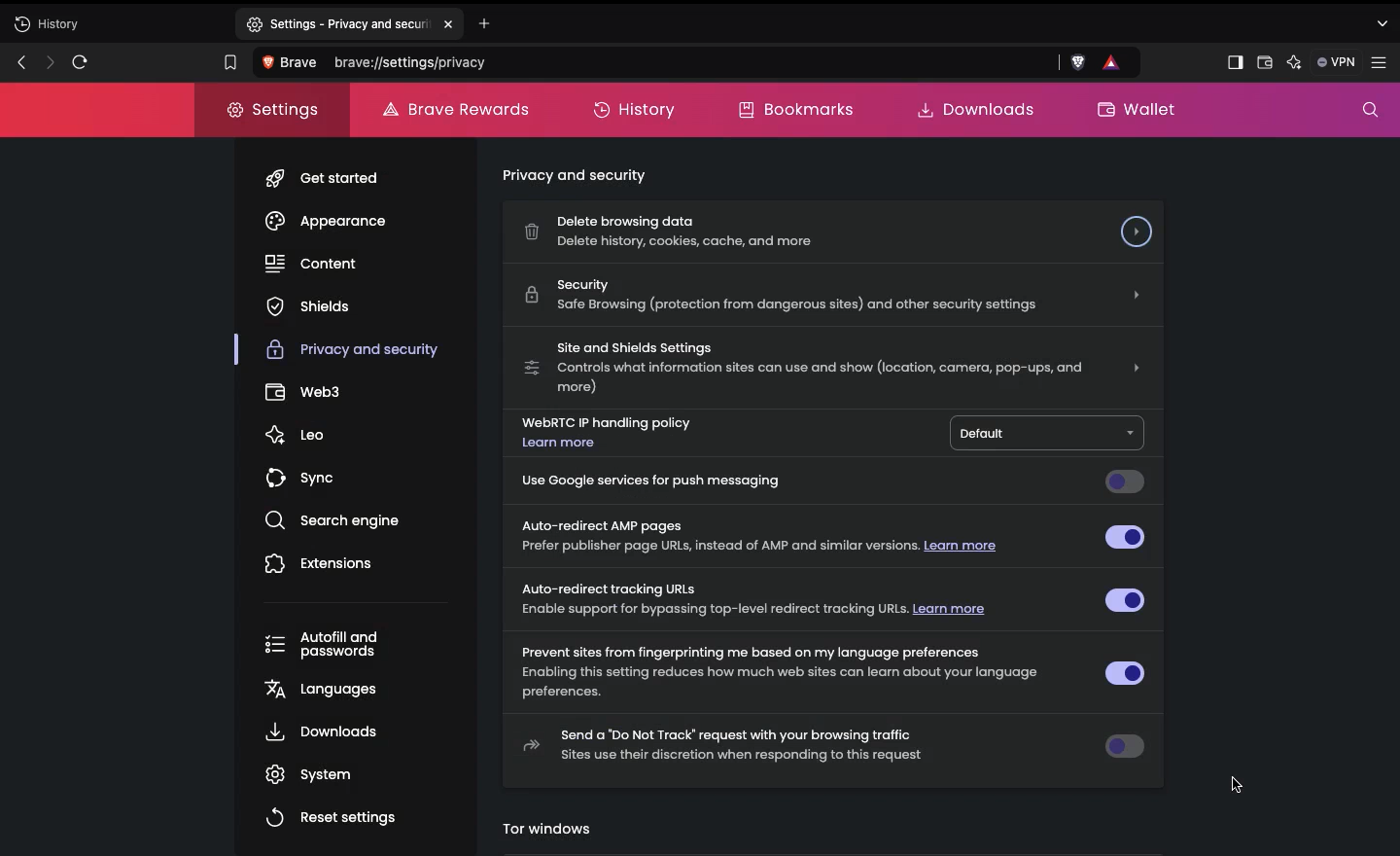  What do you see at coordinates (1080, 62) in the screenshot?
I see `brave shield` at bounding box center [1080, 62].